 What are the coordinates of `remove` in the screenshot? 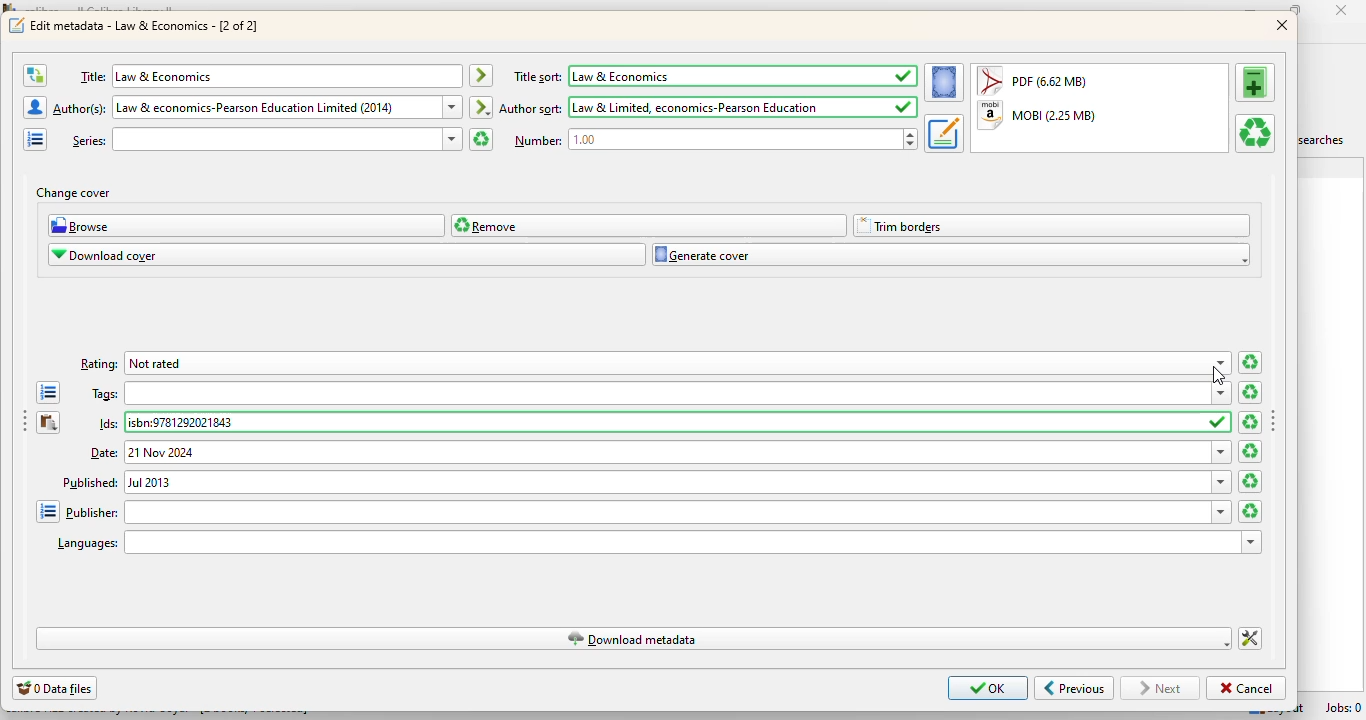 It's located at (649, 225).